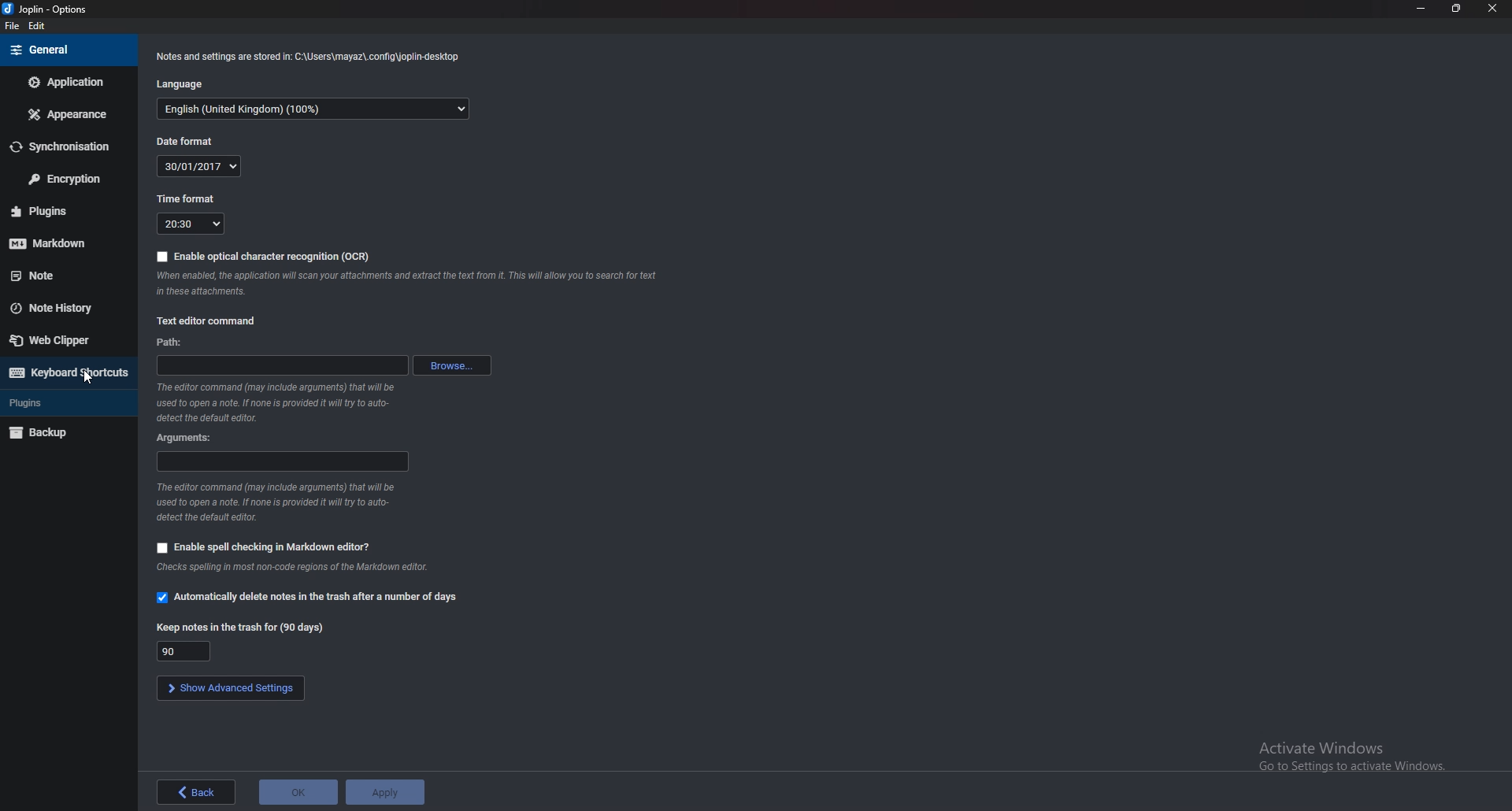 The width and height of the screenshot is (1512, 811). What do you see at coordinates (35, 25) in the screenshot?
I see `edit` at bounding box center [35, 25].